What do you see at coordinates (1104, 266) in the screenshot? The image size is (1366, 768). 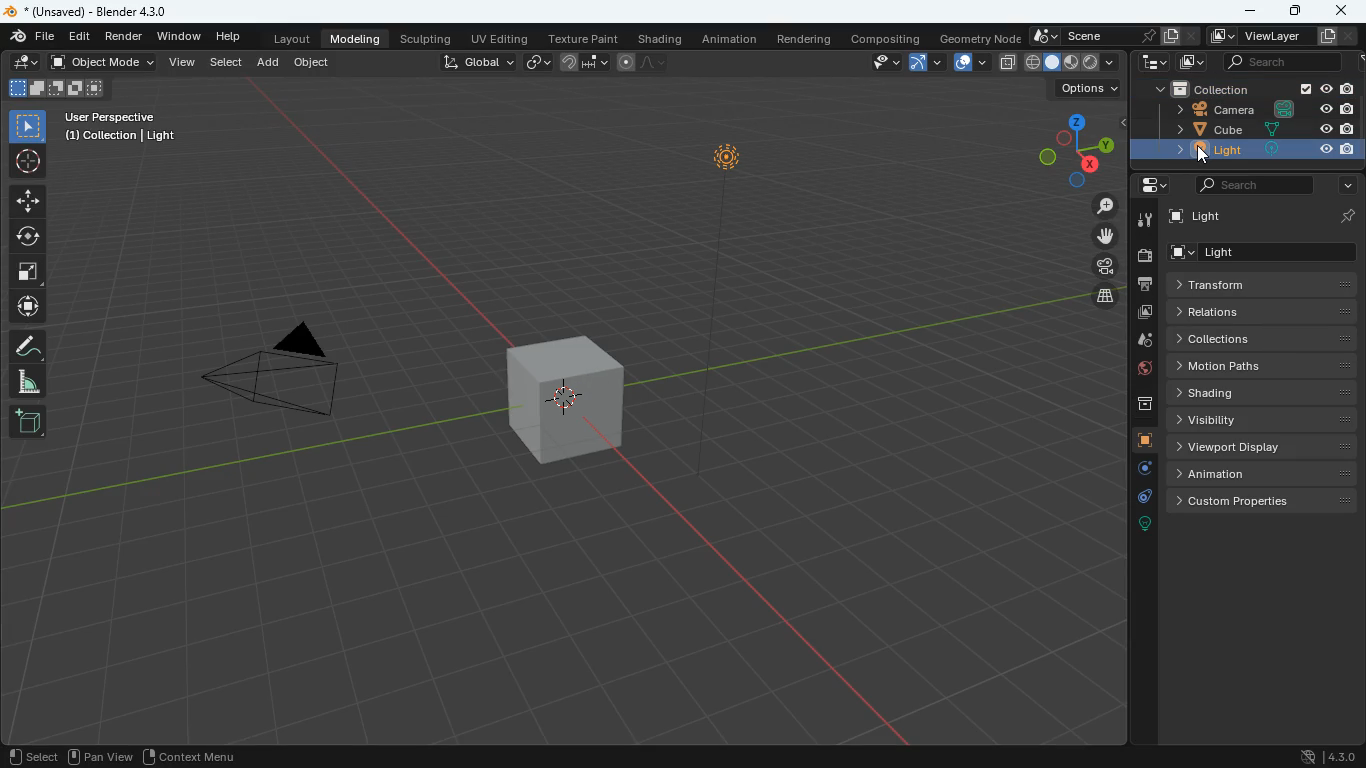 I see `camera` at bounding box center [1104, 266].